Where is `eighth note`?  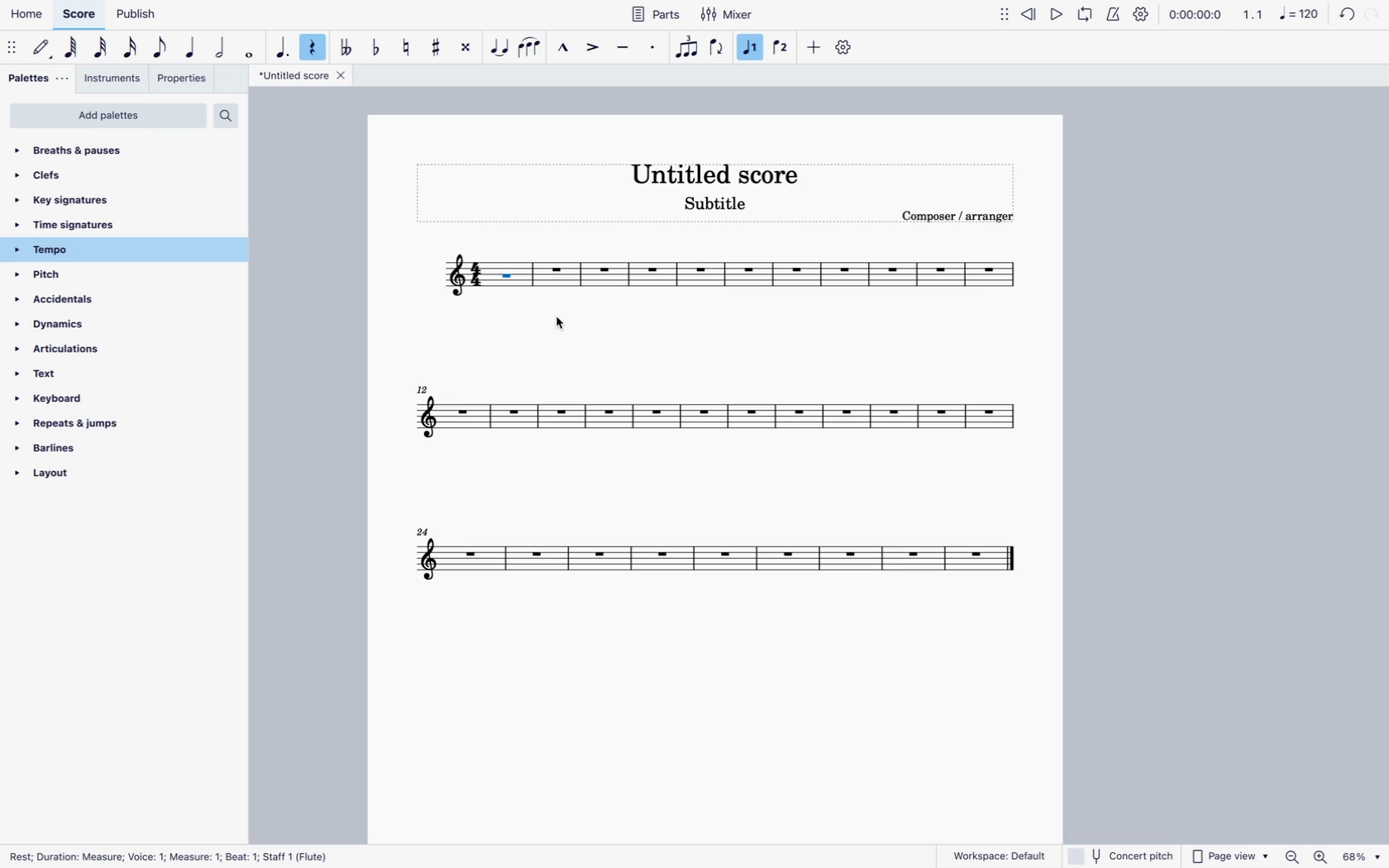
eighth note is located at coordinates (162, 46).